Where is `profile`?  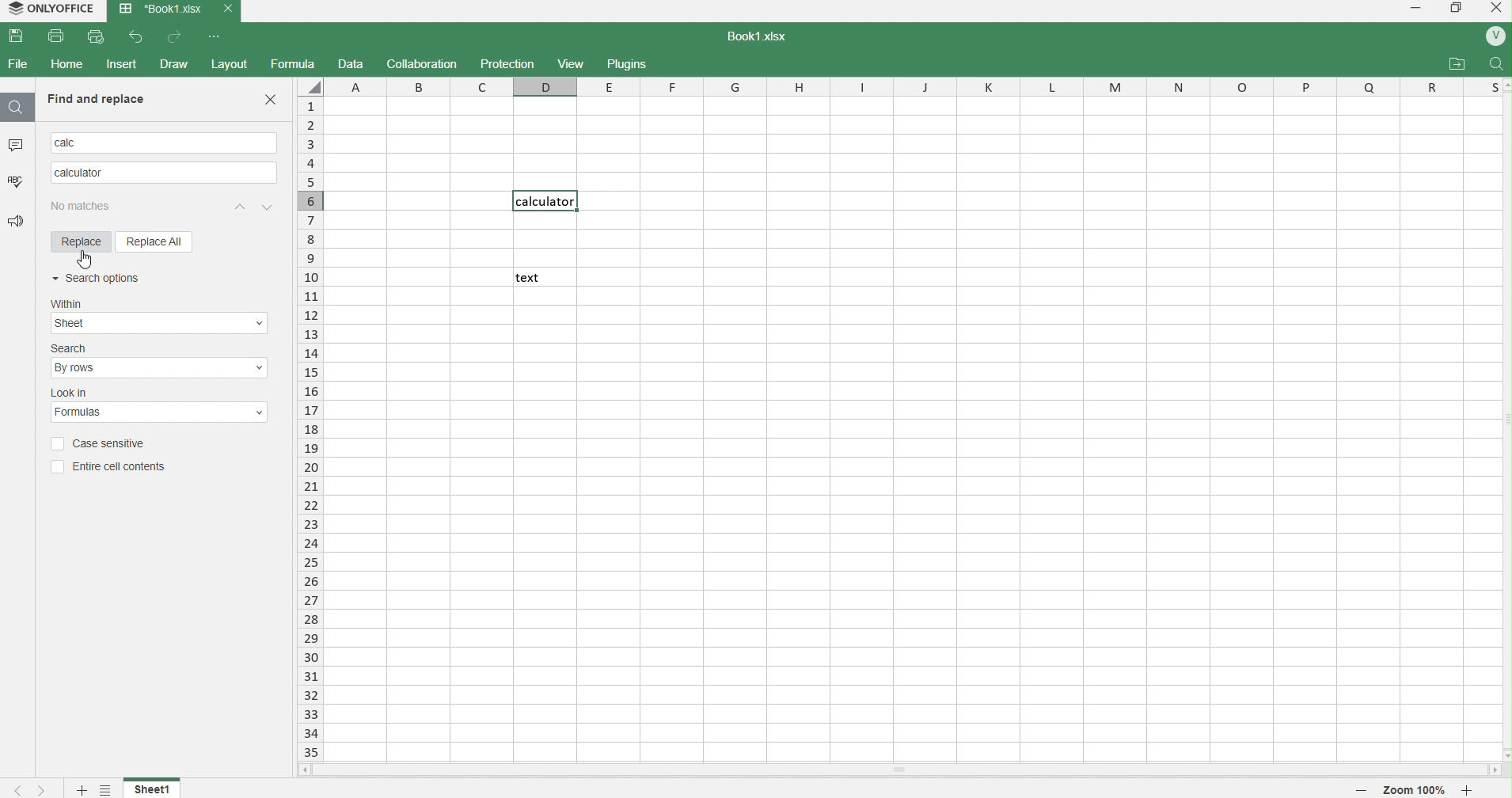 profile is located at coordinates (1491, 36).